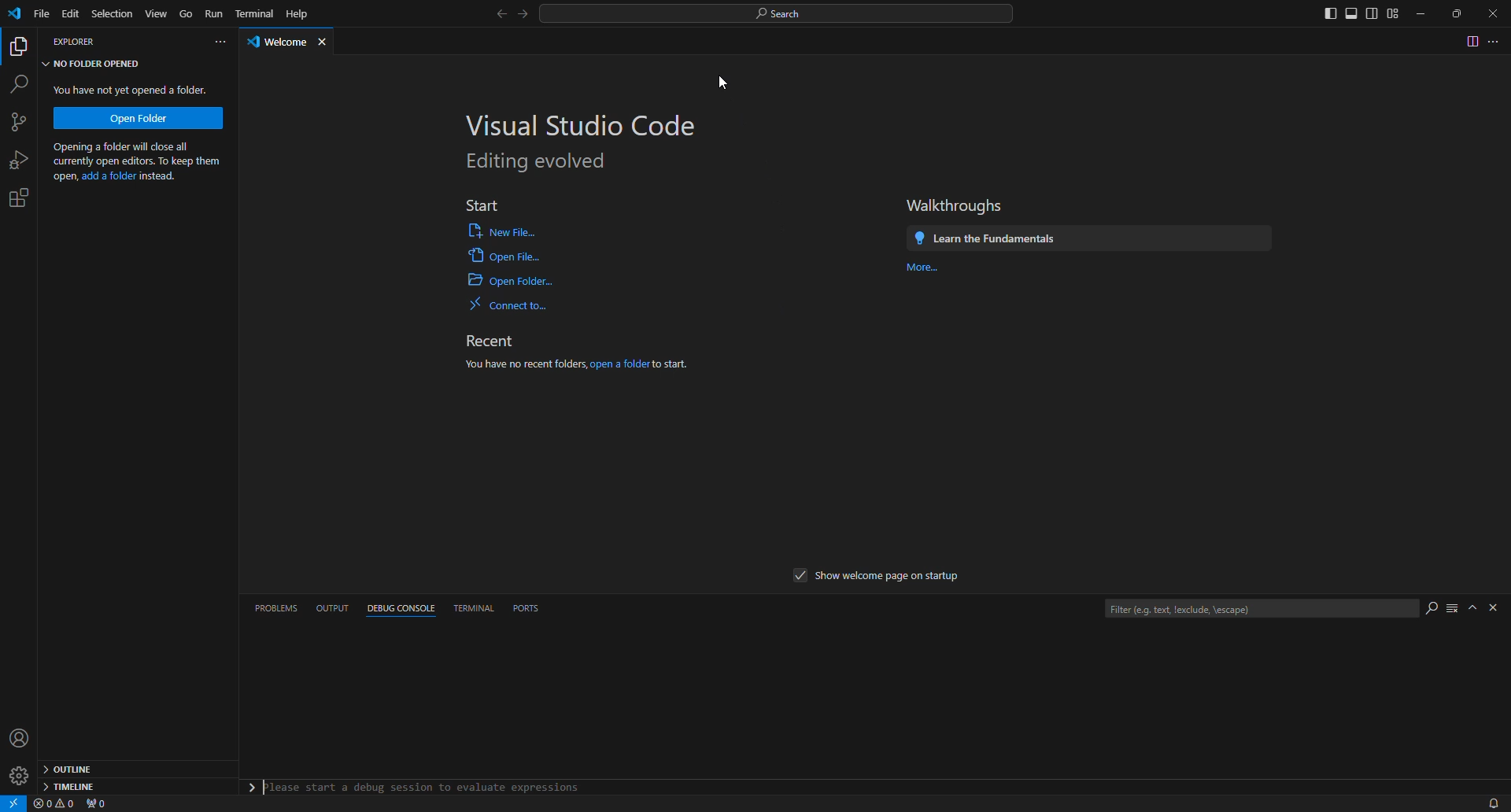 The height and width of the screenshot is (812, 1511). I want to click on up, so click(1470, 606).